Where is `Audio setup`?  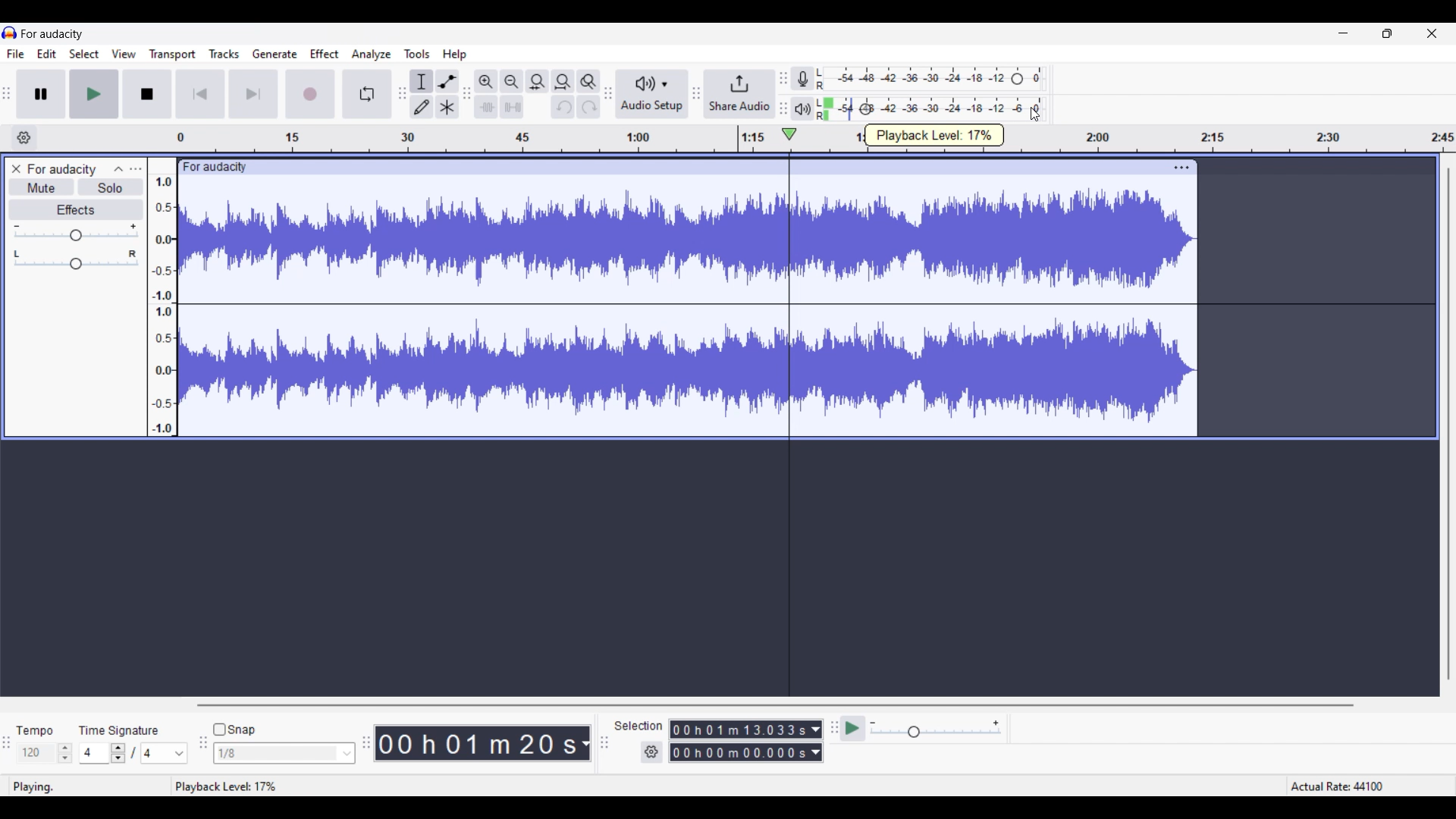
Audio setup is located at coordinates (652, 93).